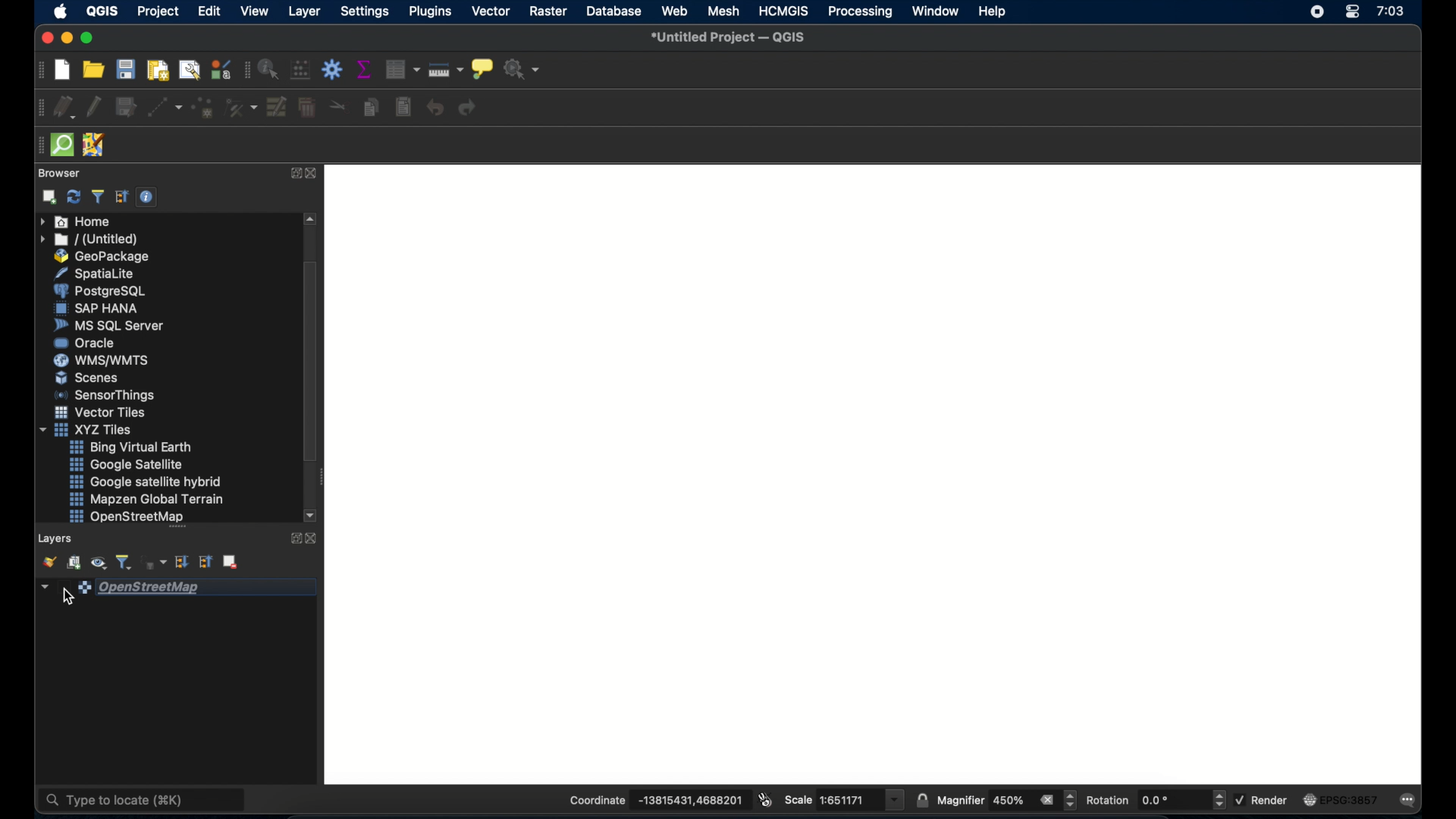 This screenshot has width=1456, height=819. I want to click on attributes toolbar, so click(247, 72).